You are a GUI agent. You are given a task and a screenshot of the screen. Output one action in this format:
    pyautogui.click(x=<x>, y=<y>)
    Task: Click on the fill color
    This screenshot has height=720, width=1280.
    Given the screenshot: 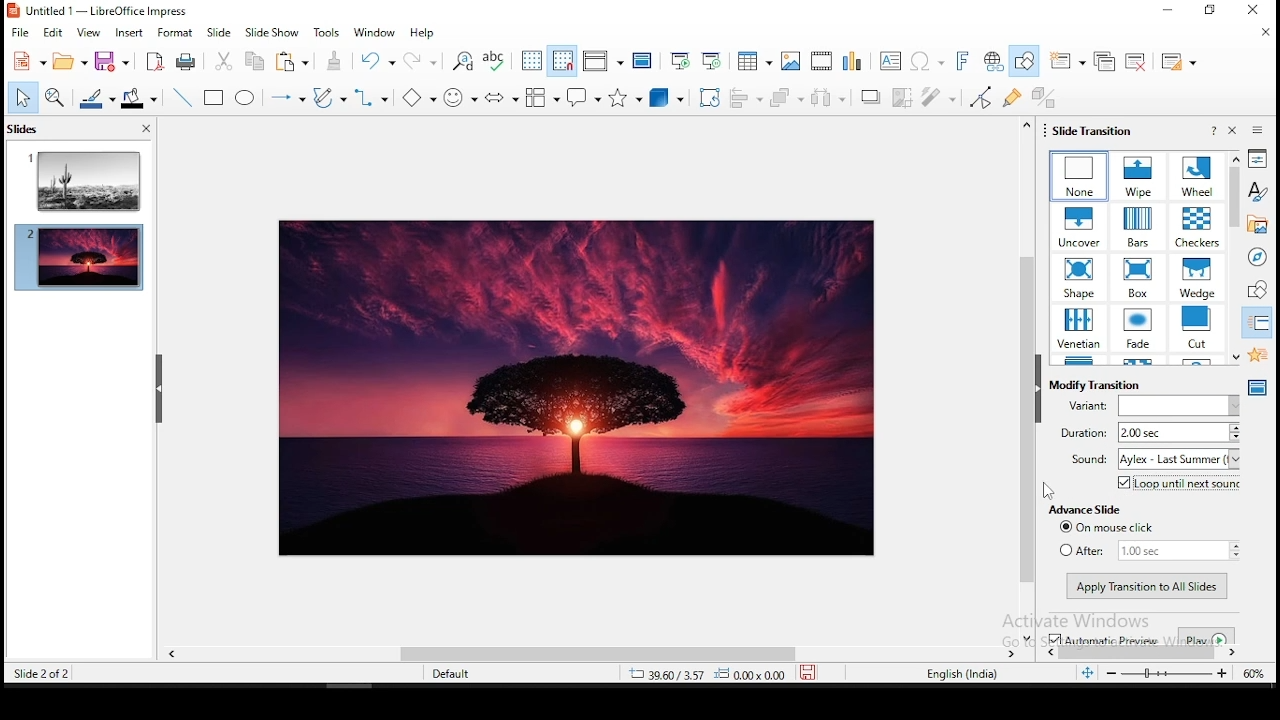 What is the action you would take?
    pyautogui.click(x=139, y=98)
    